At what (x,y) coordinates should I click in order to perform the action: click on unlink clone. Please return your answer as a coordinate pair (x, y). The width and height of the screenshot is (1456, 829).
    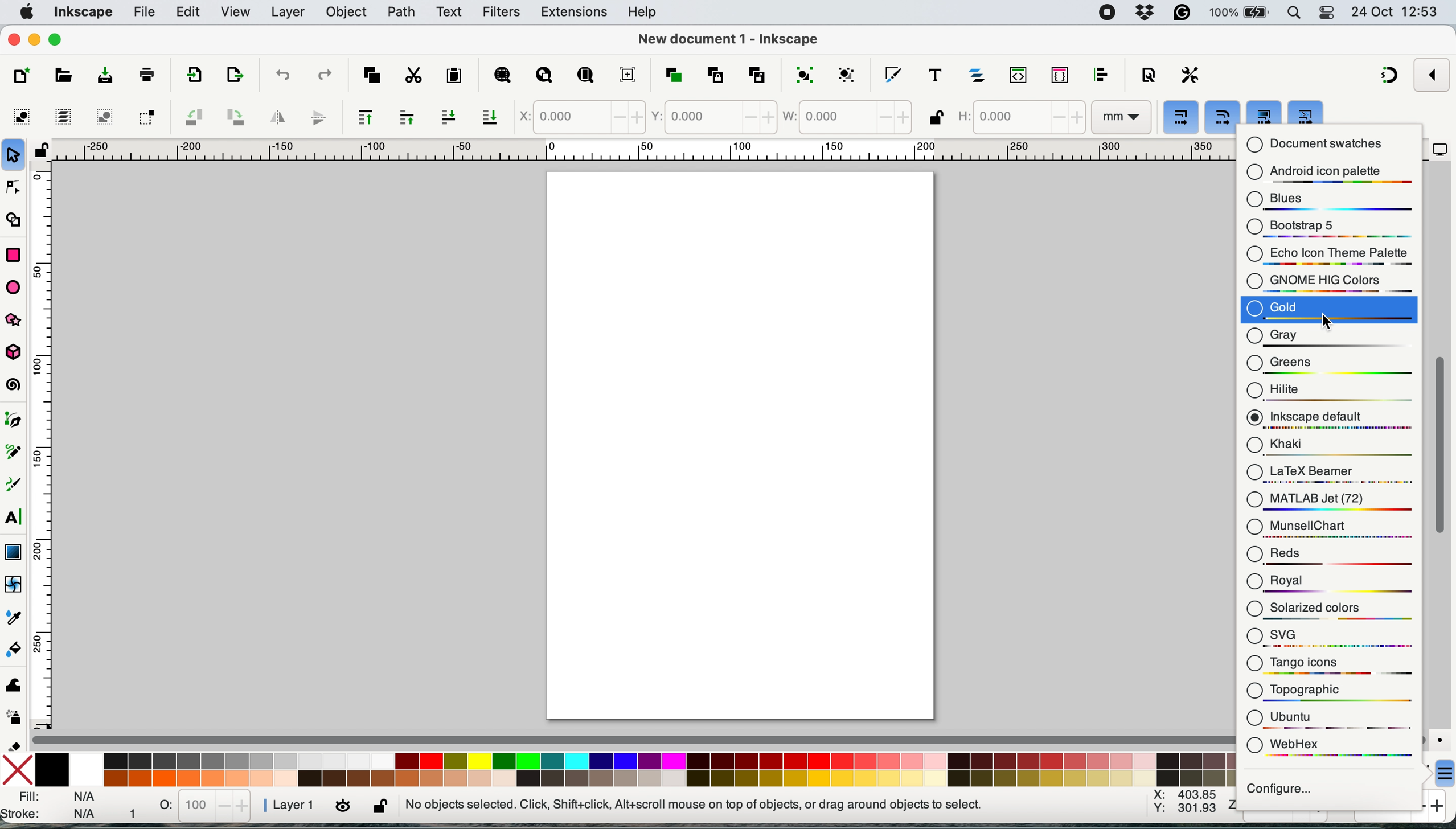
    Looking at the image, I should click on (756, 74).